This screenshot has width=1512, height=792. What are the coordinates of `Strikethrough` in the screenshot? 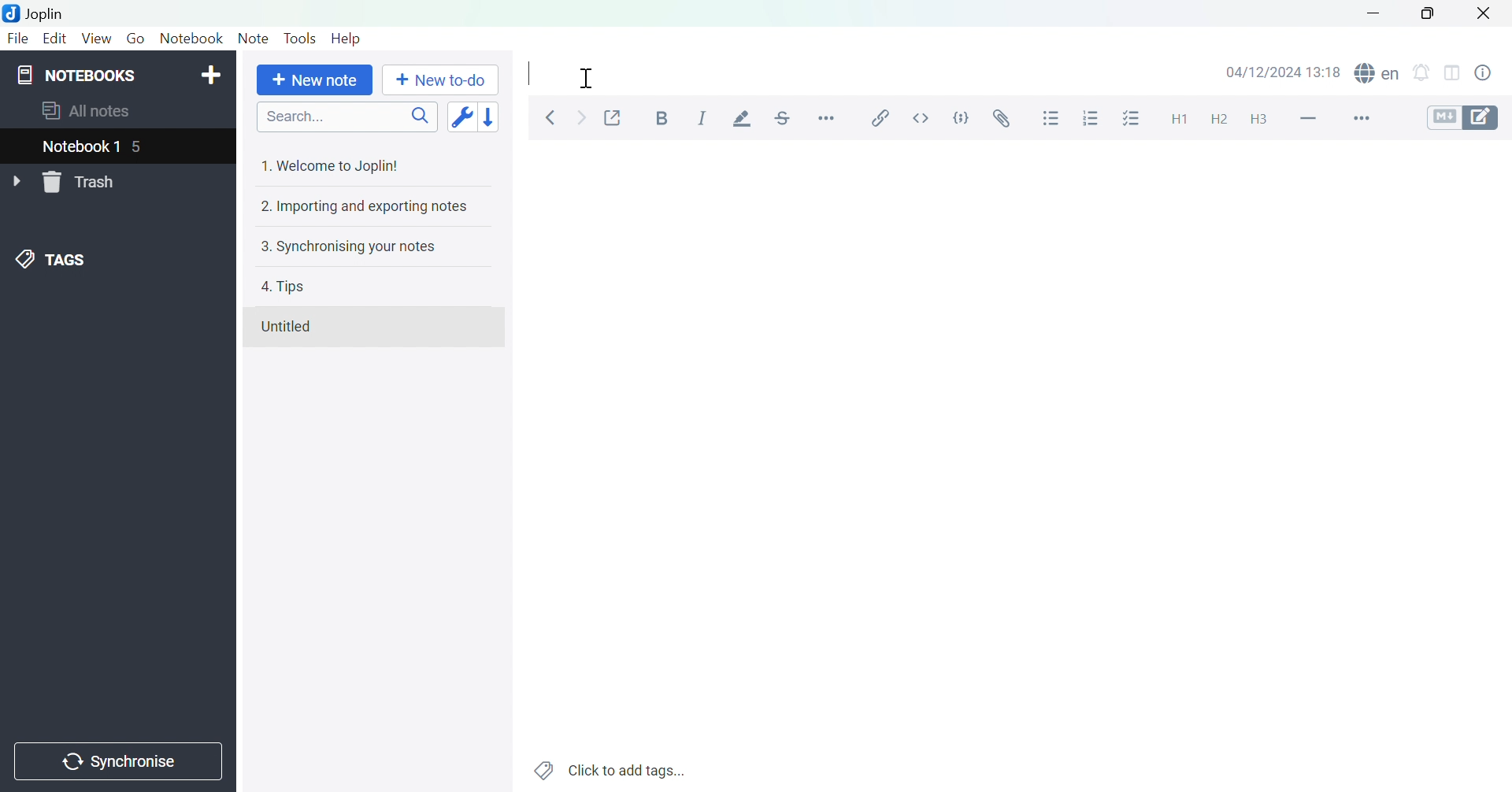 It's located at (786, 115).